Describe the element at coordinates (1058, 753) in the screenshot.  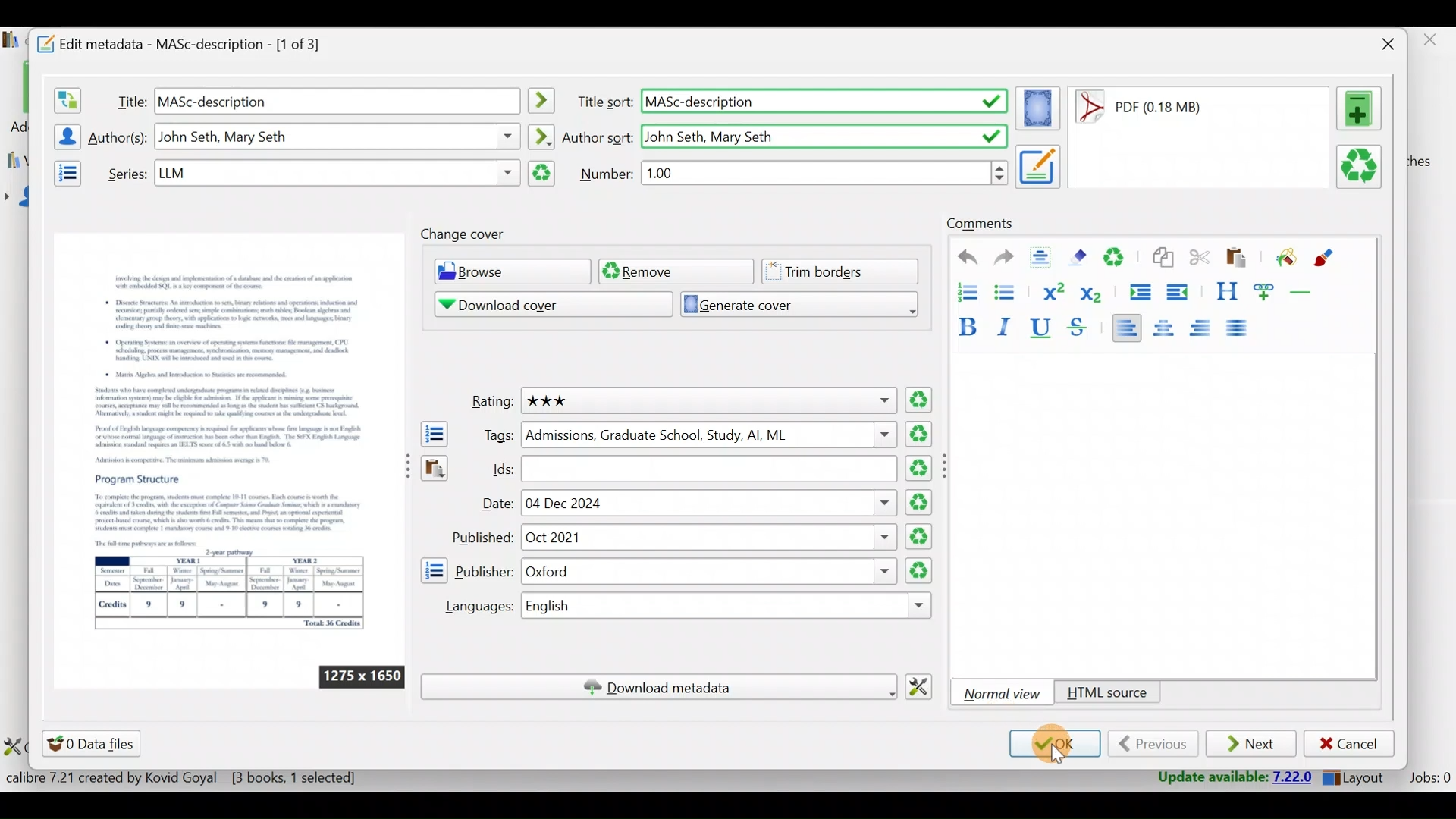
I see `Cursor` at that location.